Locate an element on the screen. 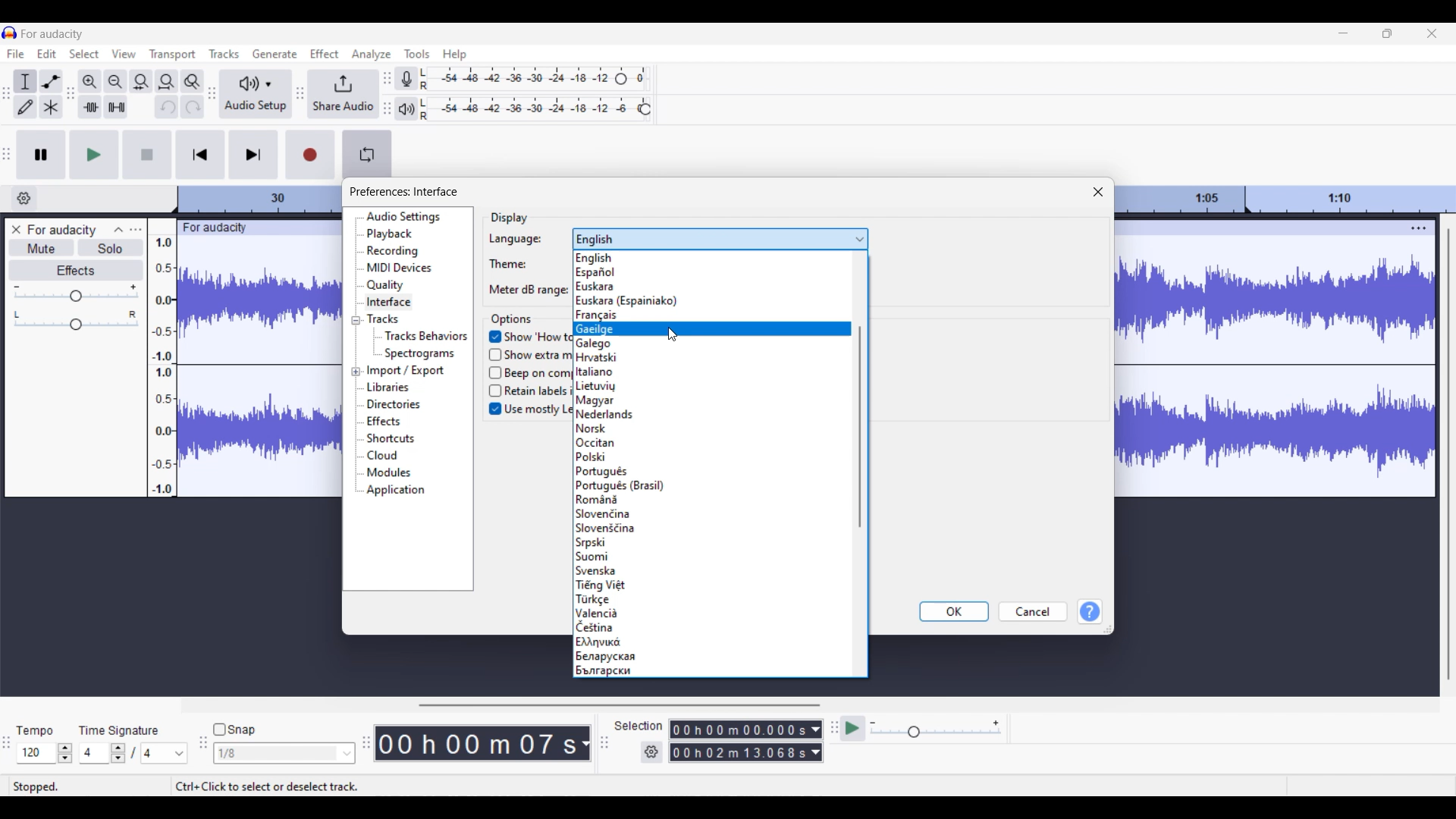 This screenshot has width=1456, height=819. [Portugués (Brasil) is located at coordinates (619, 485).